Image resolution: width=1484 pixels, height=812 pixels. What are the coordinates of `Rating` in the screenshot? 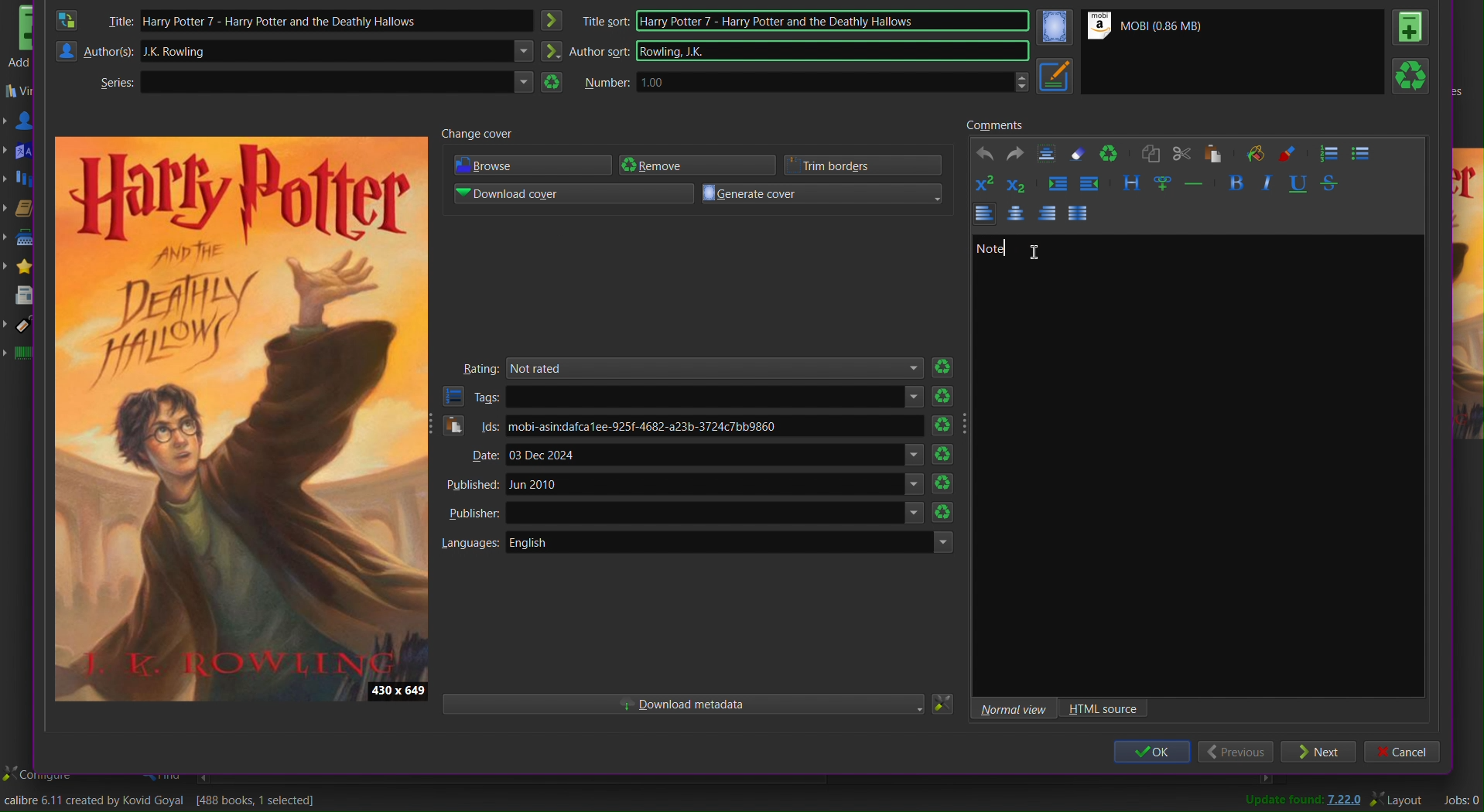 It's located at (480, 367).